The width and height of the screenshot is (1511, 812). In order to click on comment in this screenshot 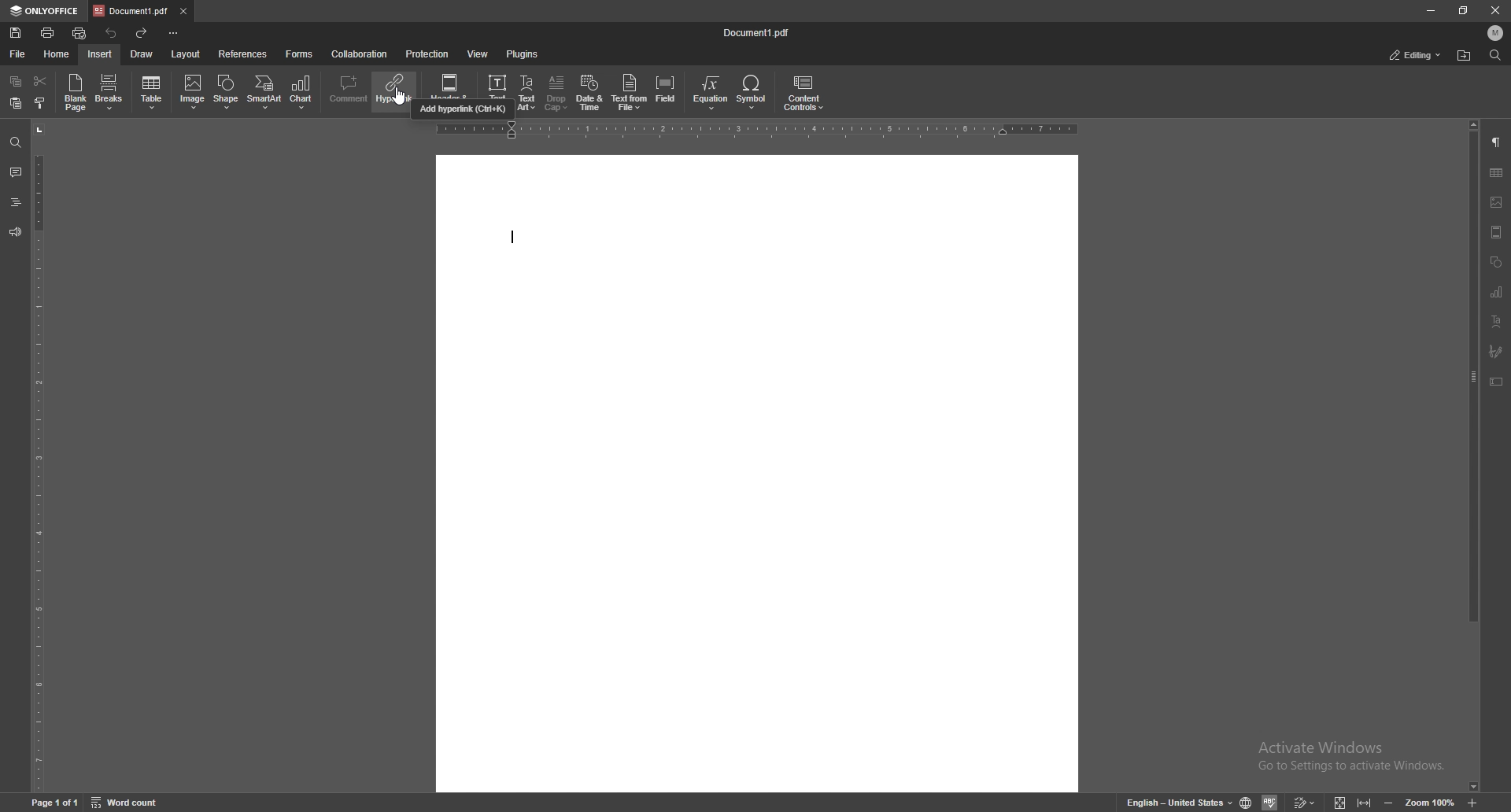, I will do `click(350, 90)`.